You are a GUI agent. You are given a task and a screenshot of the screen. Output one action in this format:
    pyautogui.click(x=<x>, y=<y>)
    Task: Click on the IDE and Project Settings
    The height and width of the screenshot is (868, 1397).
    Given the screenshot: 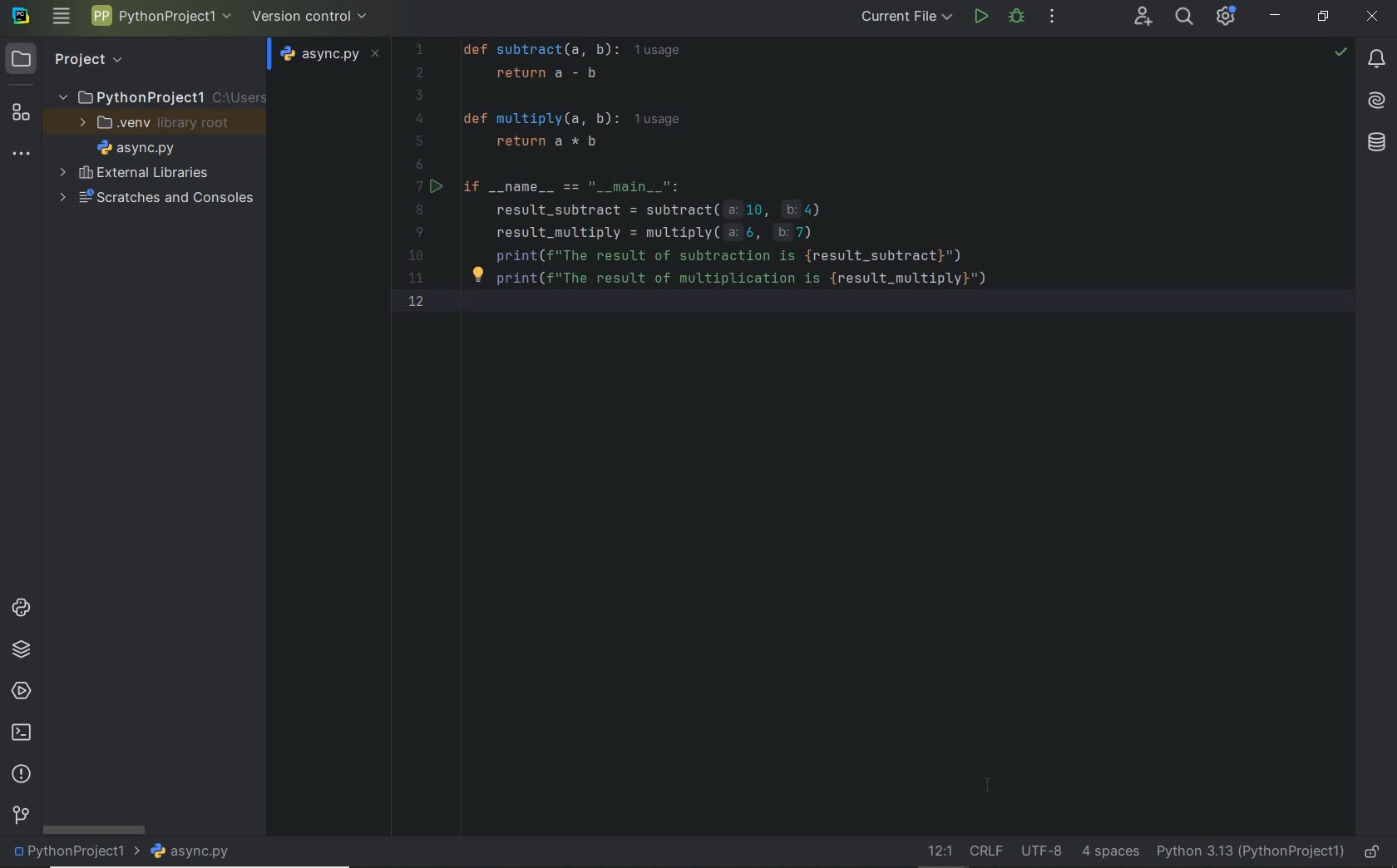 What is the action you would take?
    pyautogui.click(x=1227, y=17)
    